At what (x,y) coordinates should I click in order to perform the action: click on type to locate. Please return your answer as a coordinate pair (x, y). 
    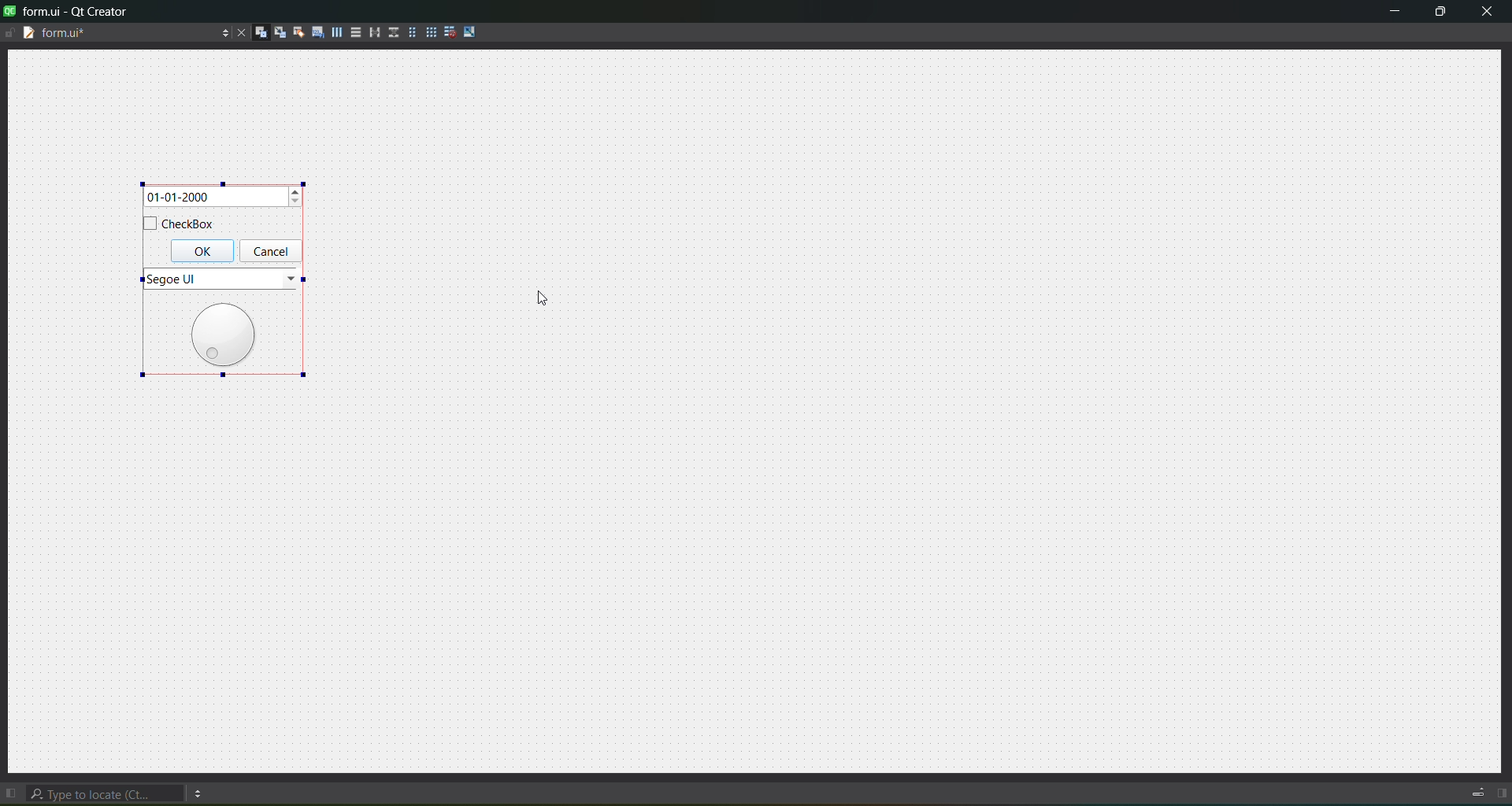
    Looking at the image, I should click on (108, 791).